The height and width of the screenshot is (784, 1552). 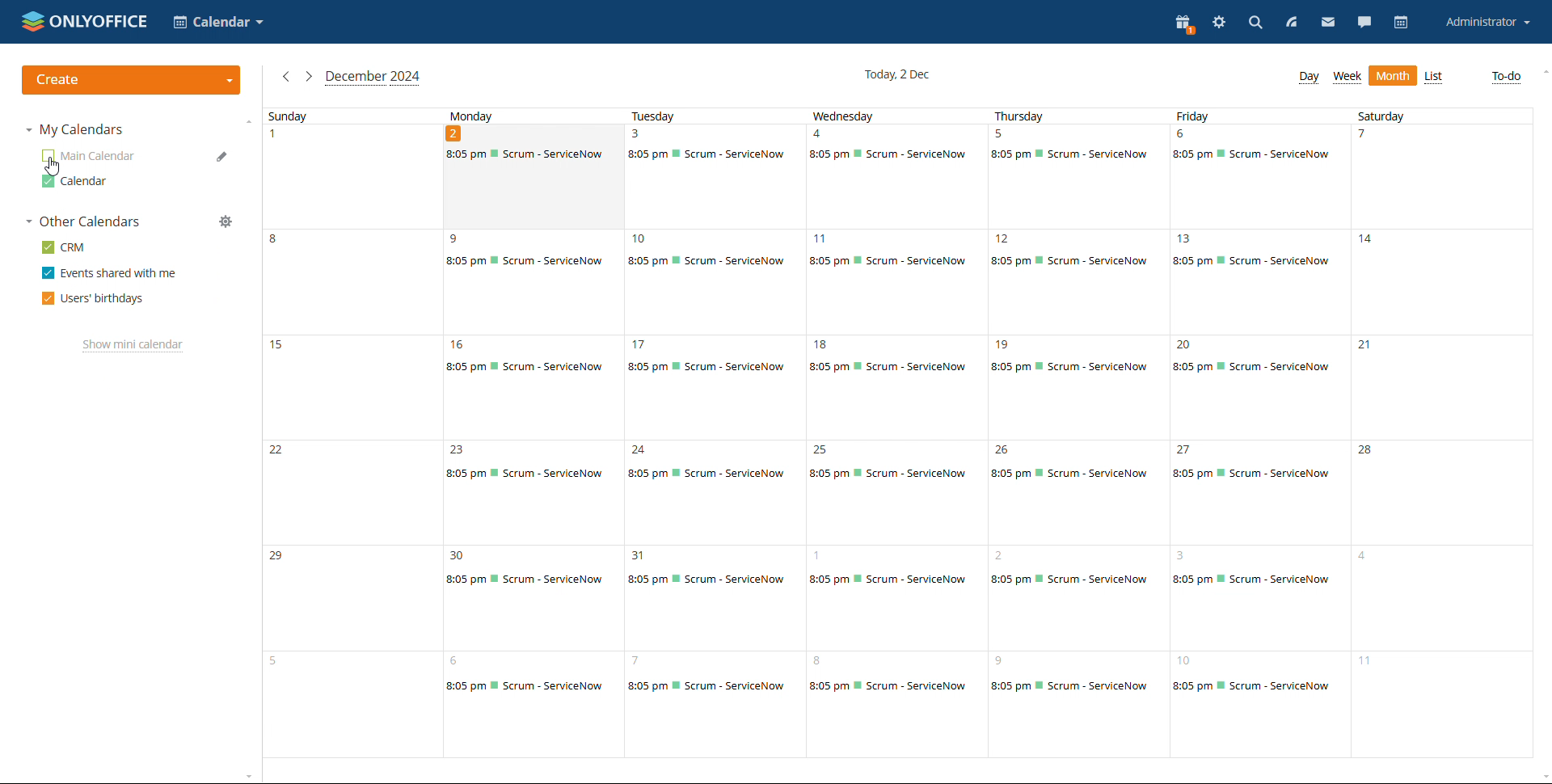 I want to click on show mini calendar, so click(x=133, y=346).